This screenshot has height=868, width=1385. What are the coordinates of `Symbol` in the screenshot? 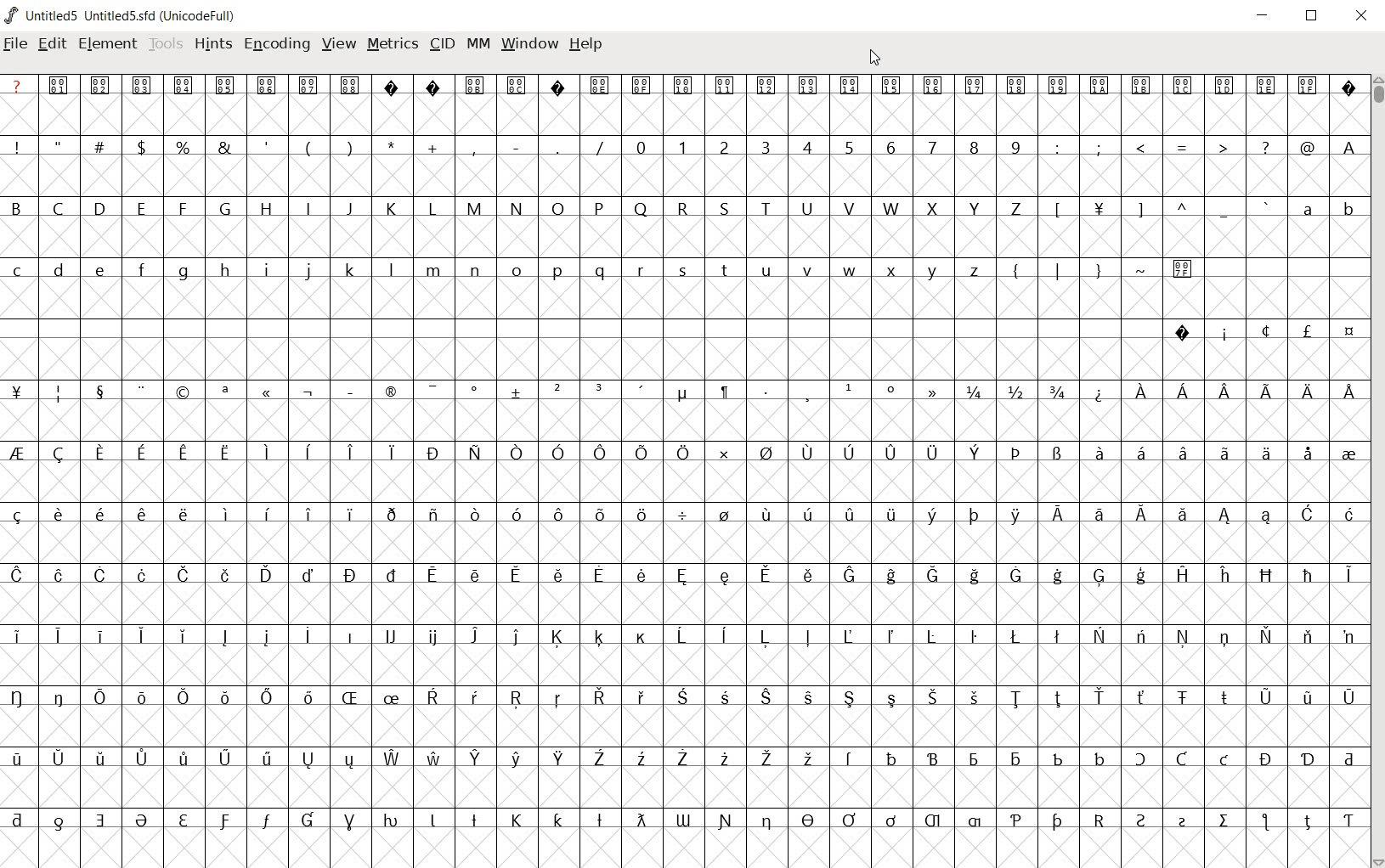 It's located at (681, 699).